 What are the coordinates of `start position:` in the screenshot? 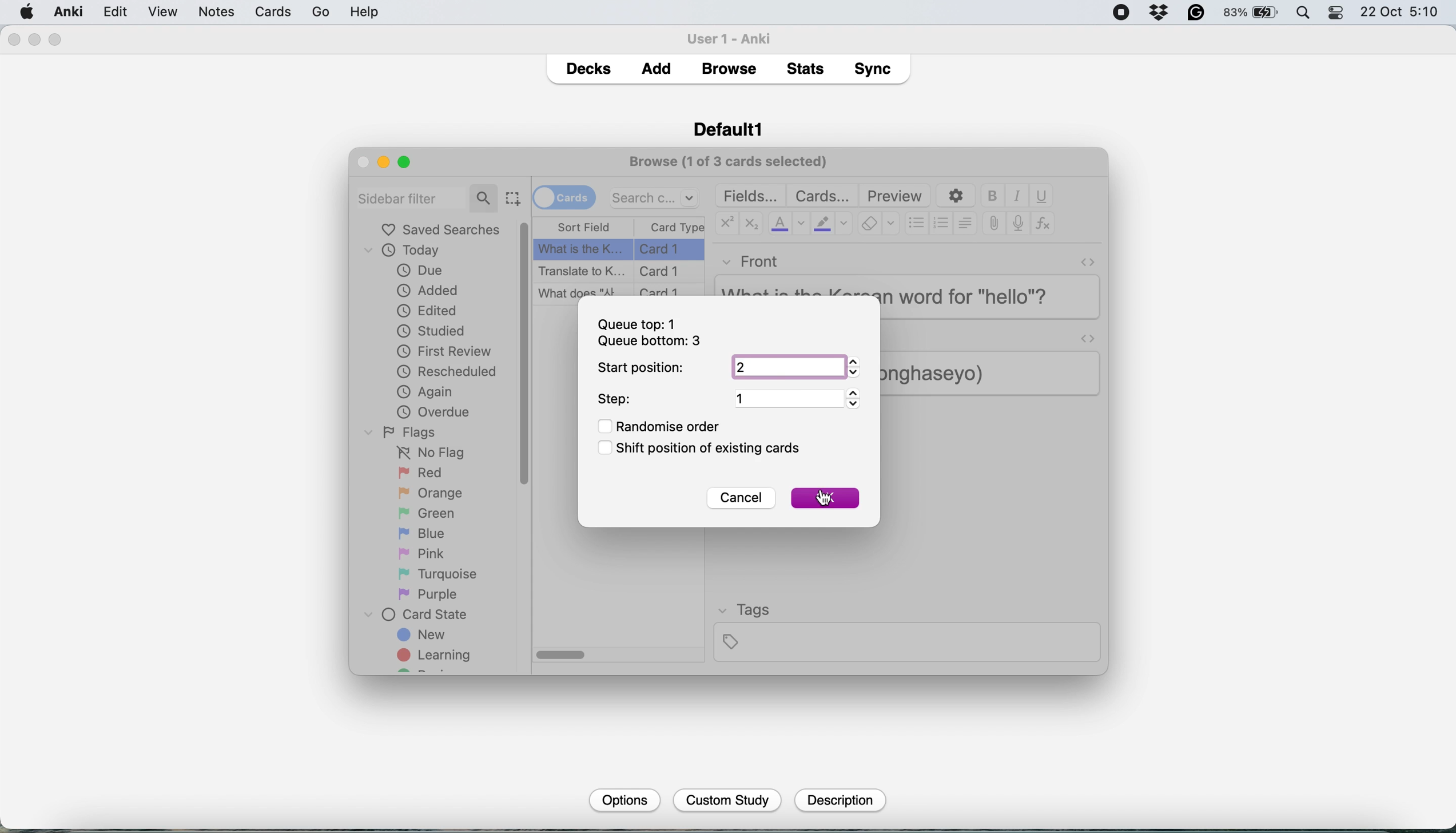 It's located at (642, 368).